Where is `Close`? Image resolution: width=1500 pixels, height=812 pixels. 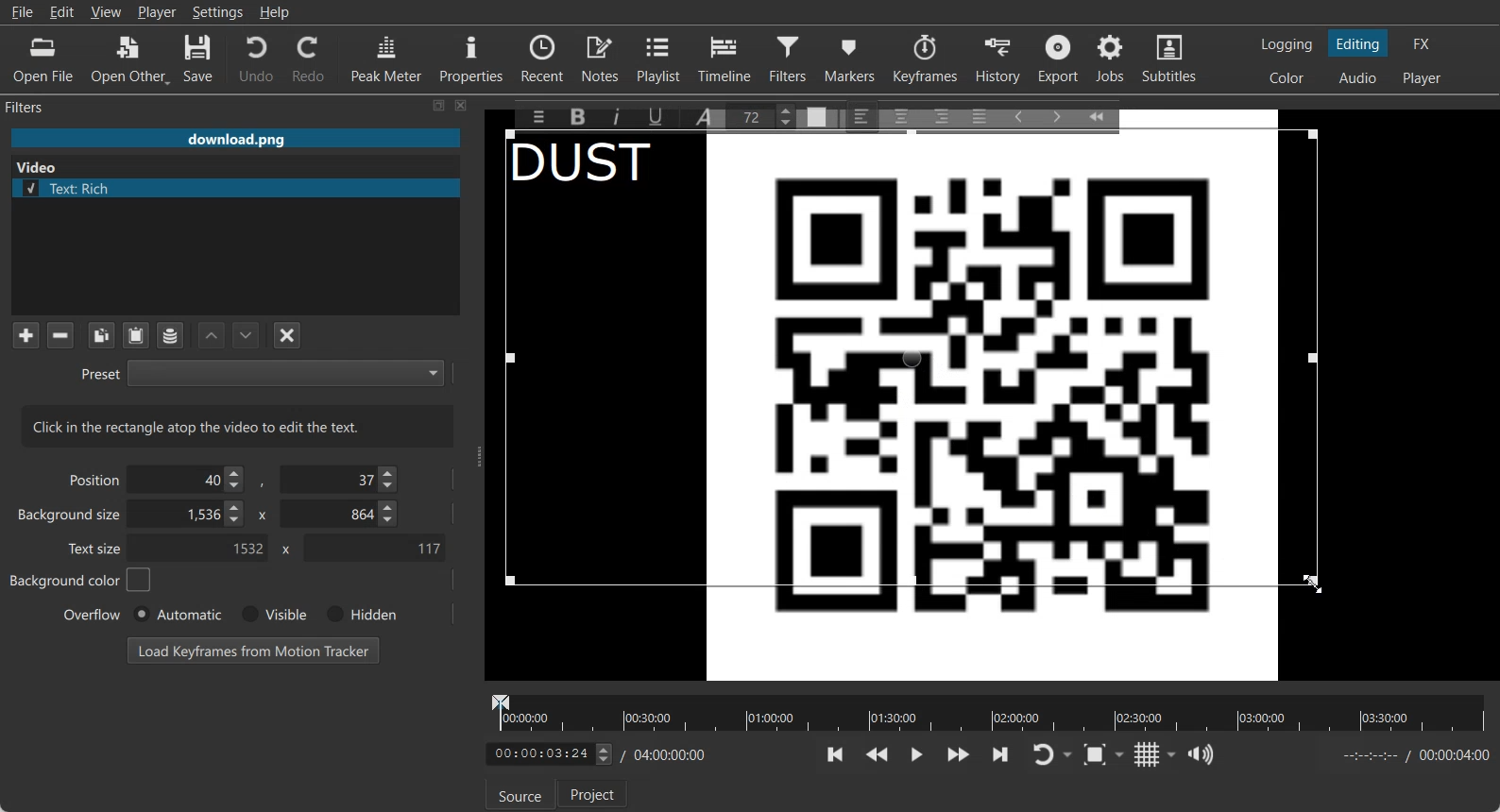
Close is located at coordinates (462, 105).